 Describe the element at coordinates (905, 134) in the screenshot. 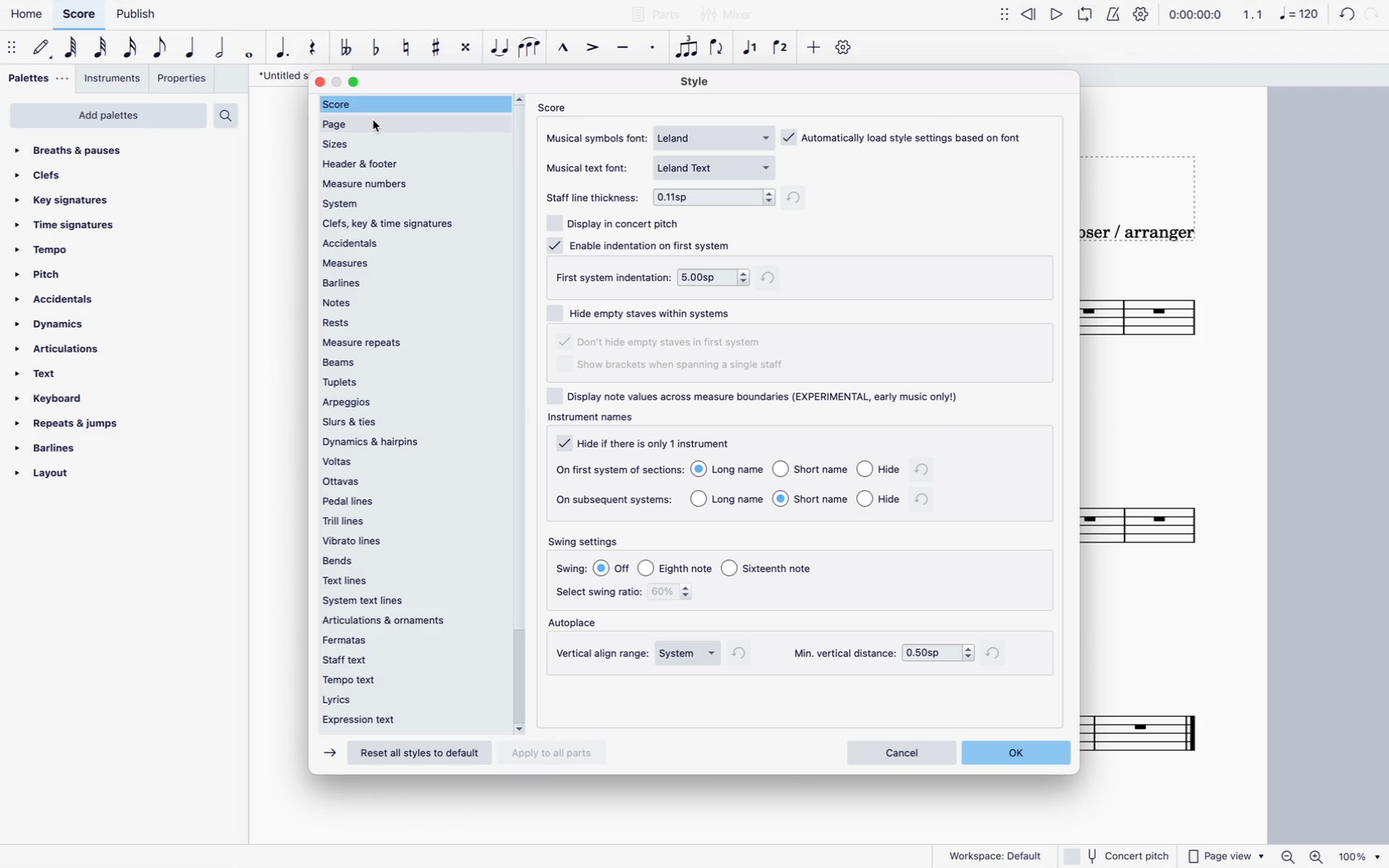

I see `automatically load` at that location.